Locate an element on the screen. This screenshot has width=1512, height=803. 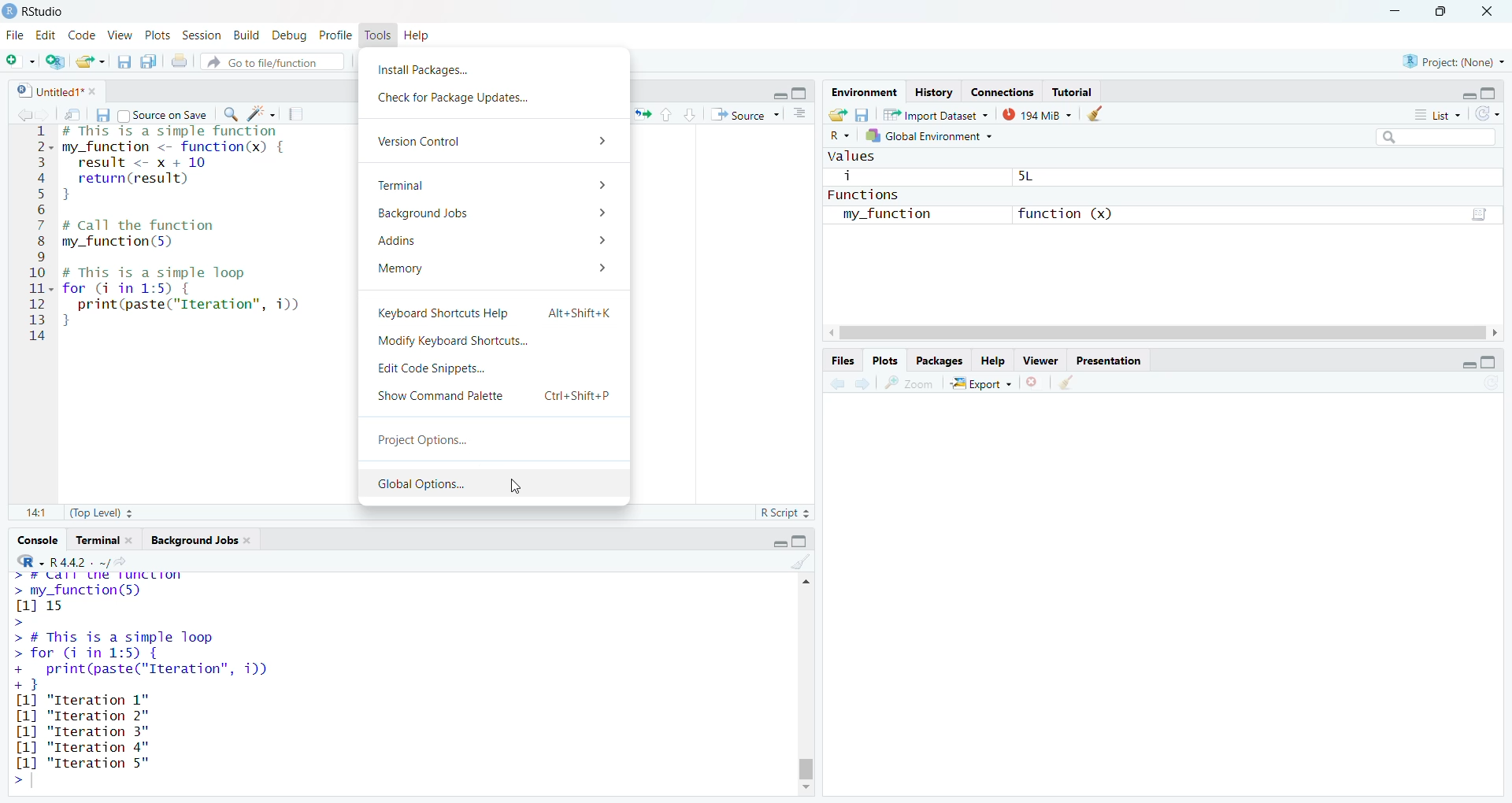
edit is located at coordinates (46, 35).